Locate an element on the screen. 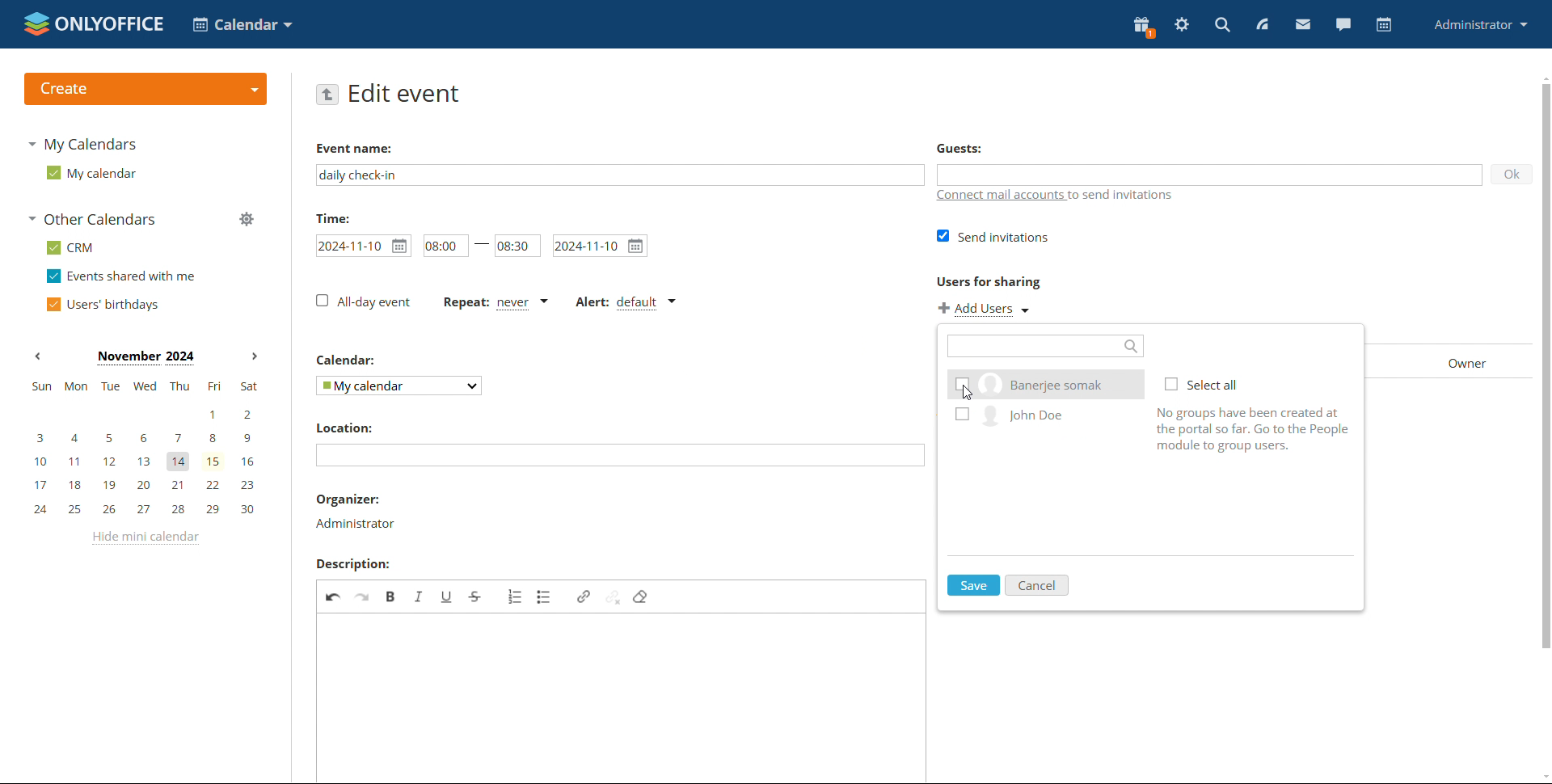  search user is located at coordinates (1045, 345).